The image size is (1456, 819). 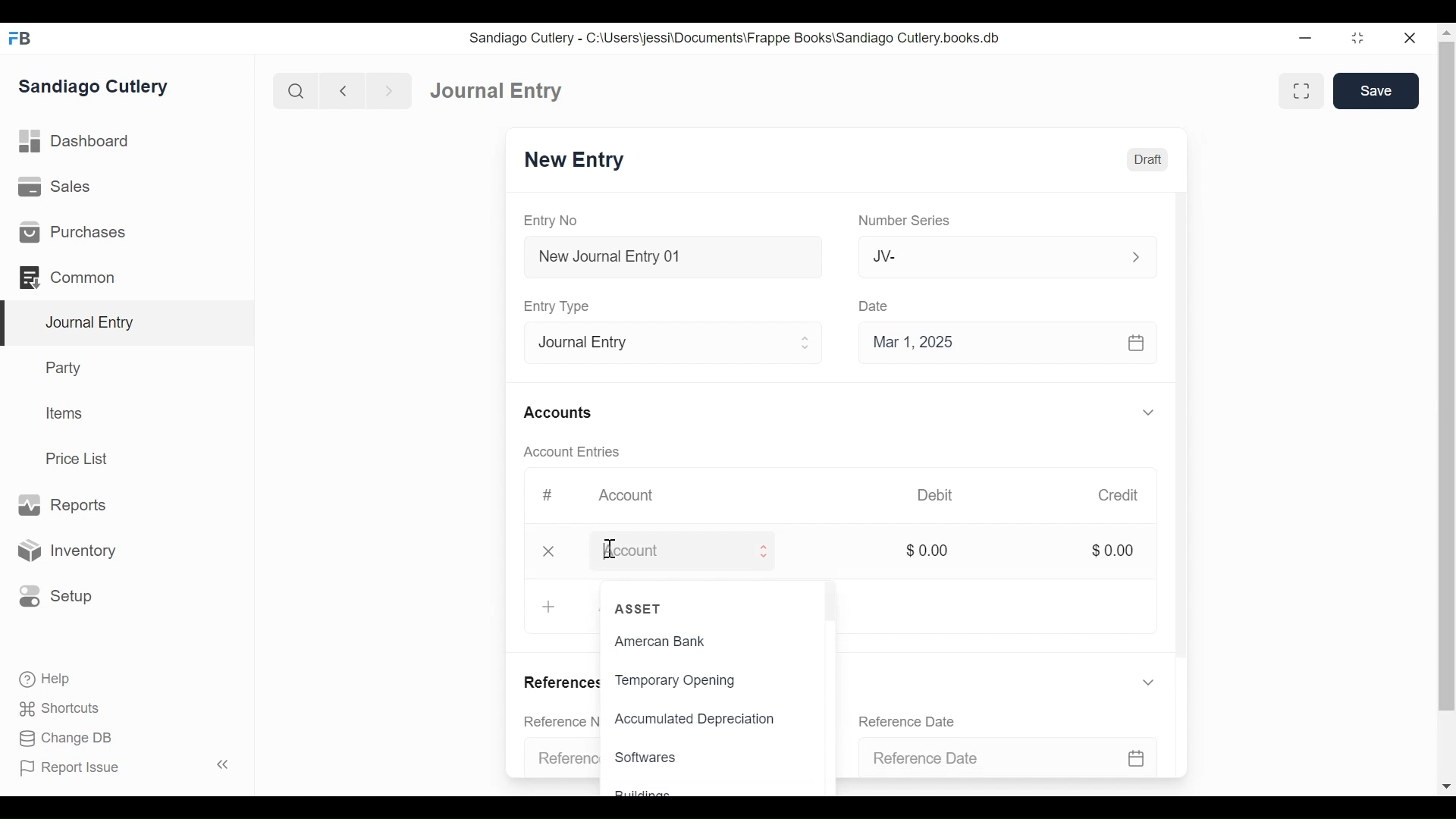 I want to click on Sandiago Cutlery, so click(x=102, y=88).